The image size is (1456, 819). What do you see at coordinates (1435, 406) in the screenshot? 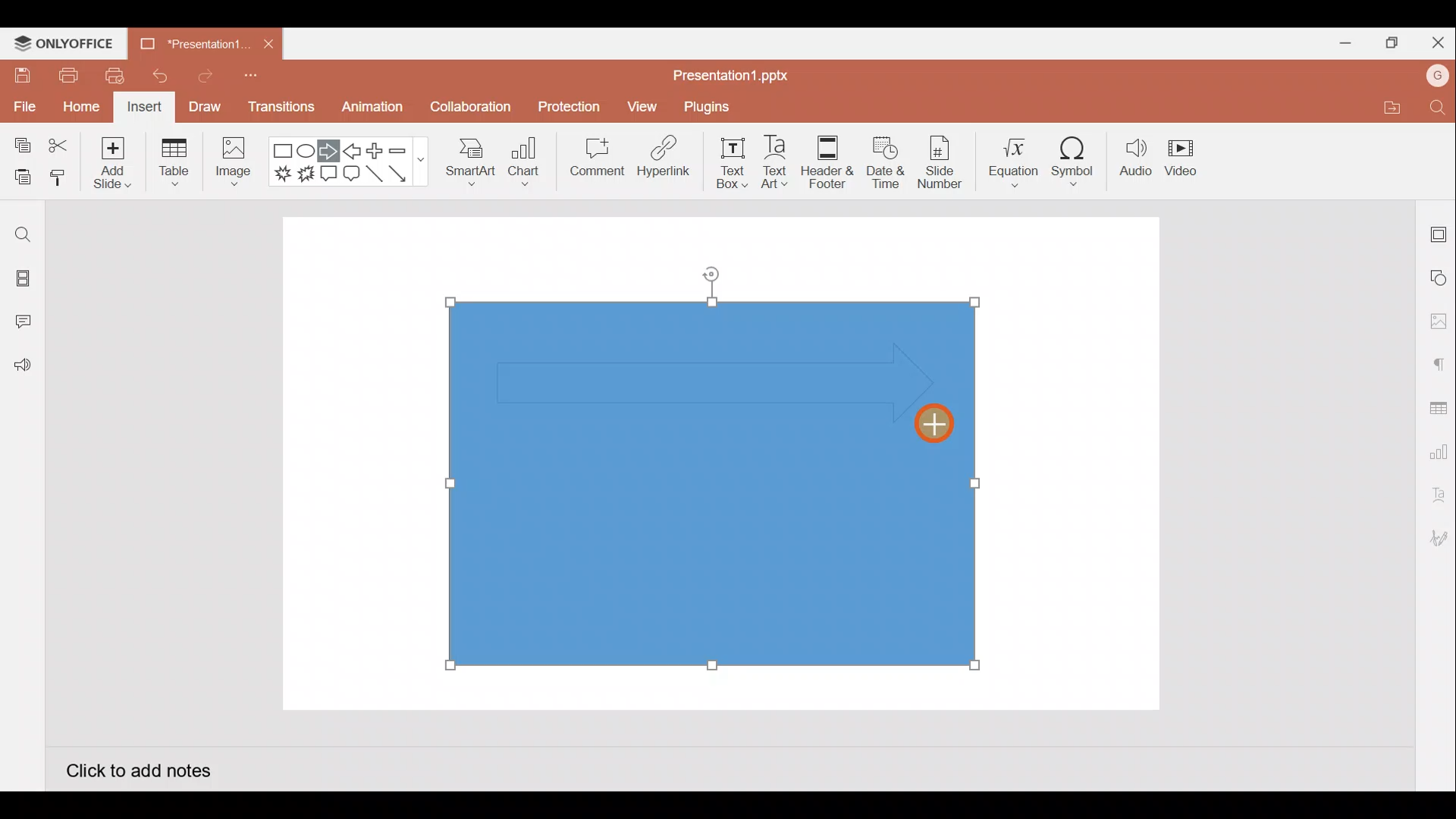
I see `Table settings` at bounding box center [1435, 406].